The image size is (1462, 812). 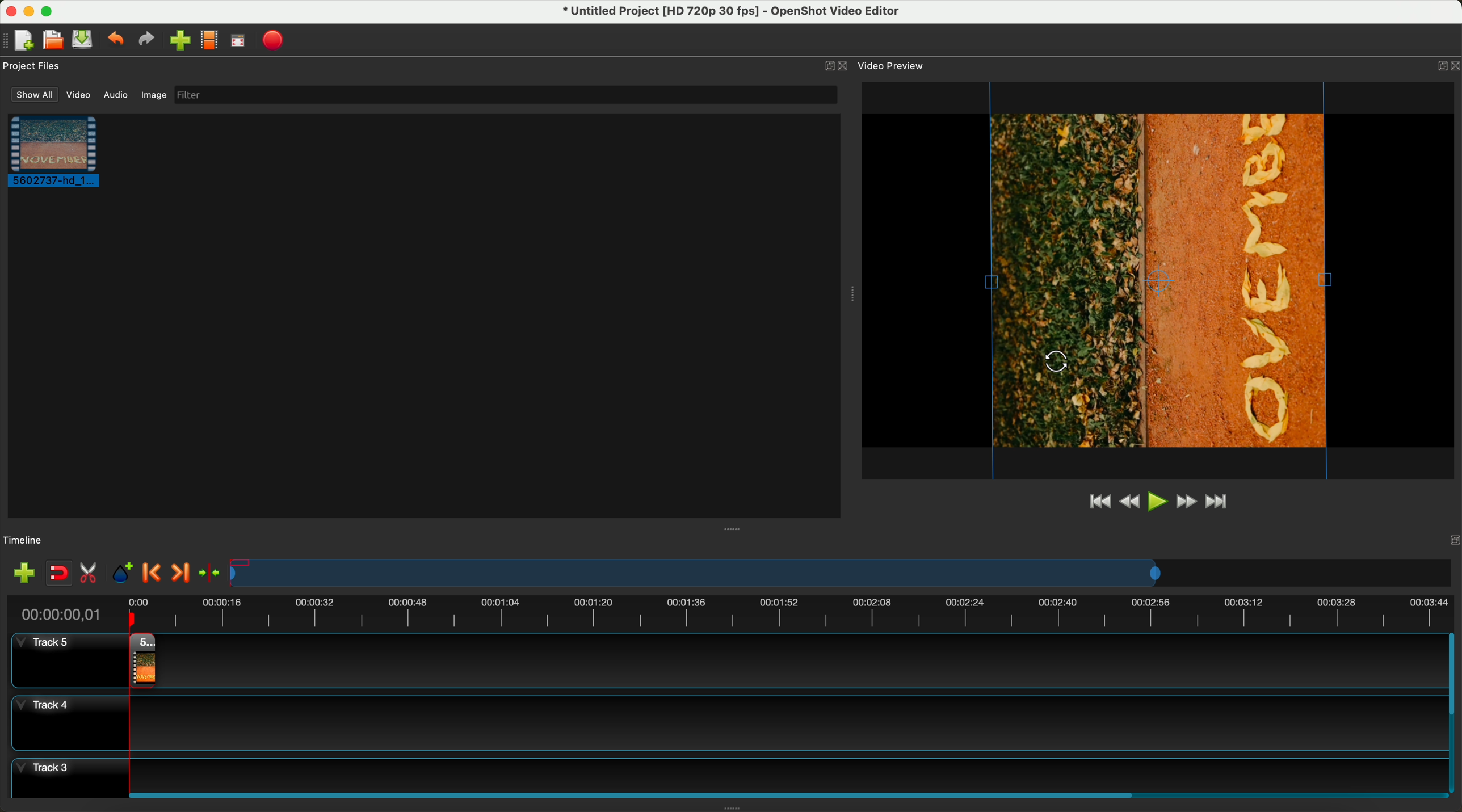 I want to click on center the timeline on the playhead, so click(x=216, y=573).